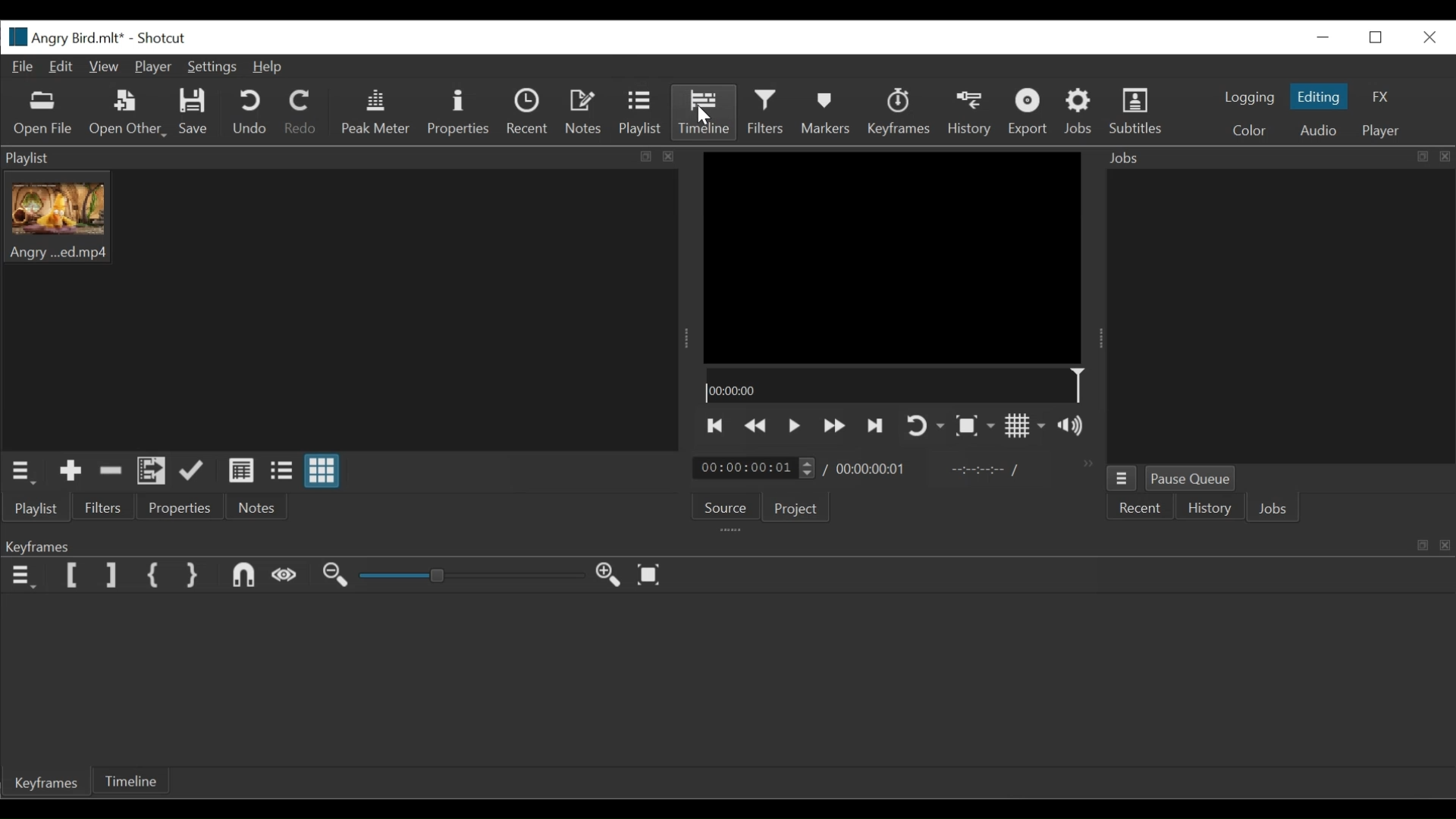 Image resolution: width=1456 pixels, height=819 pixels. Describe the element at coordinates (375, 111) in the screenshot. I see `Peak Meter` at that location.